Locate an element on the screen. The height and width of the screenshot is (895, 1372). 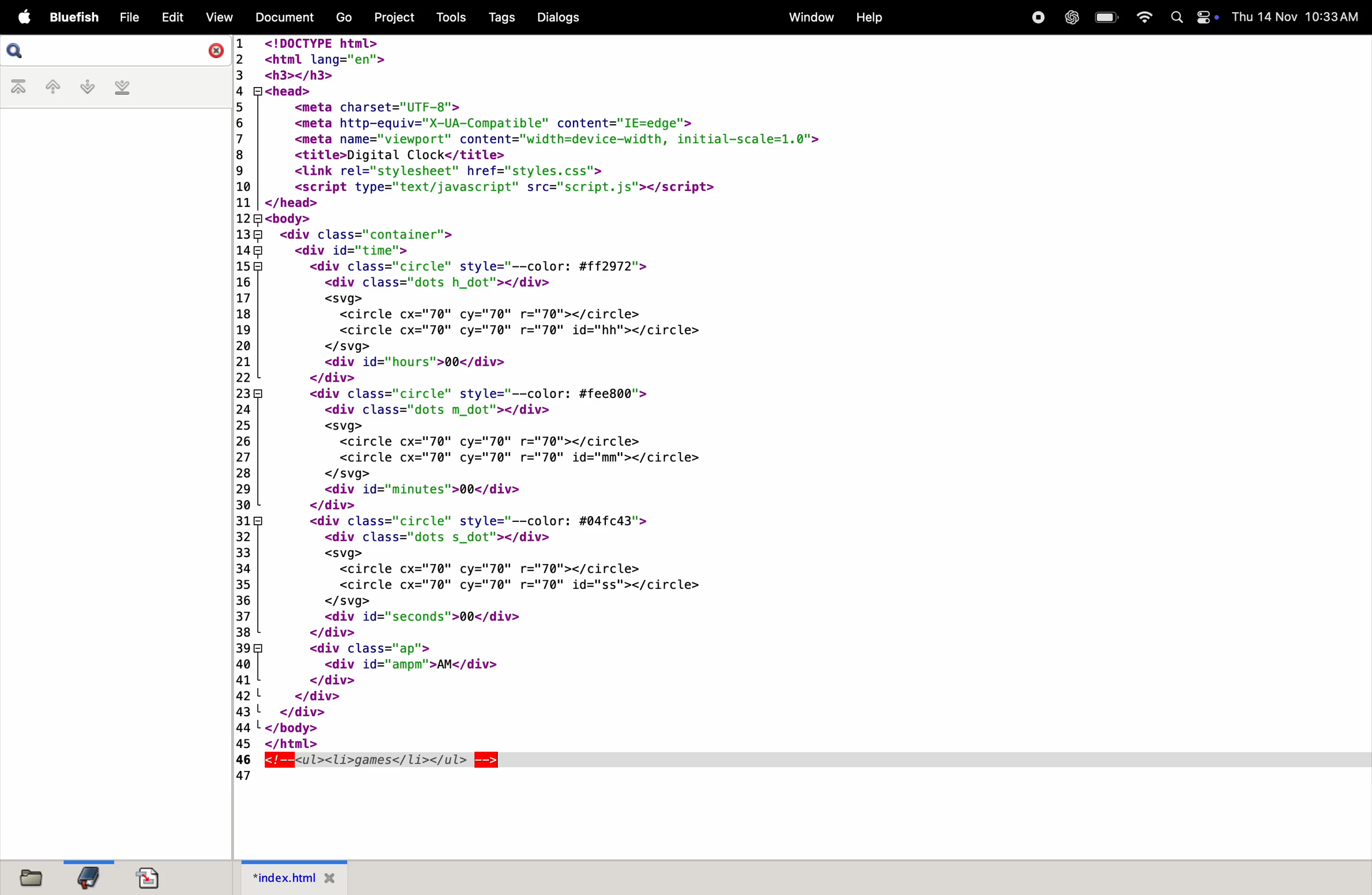
Apple menu is located at coordinates (22, 16).